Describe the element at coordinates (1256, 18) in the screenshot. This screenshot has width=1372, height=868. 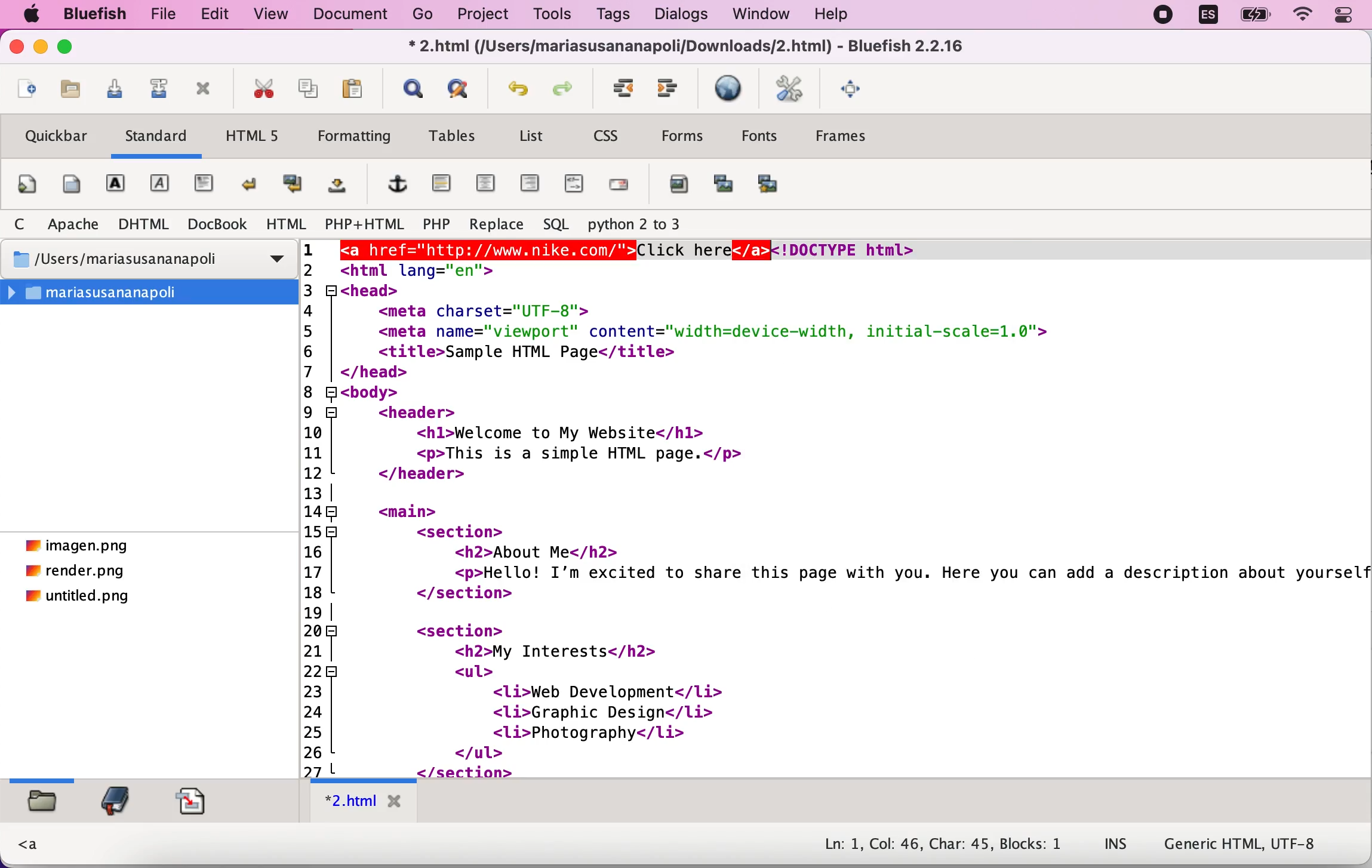
I see `battery` at that location.